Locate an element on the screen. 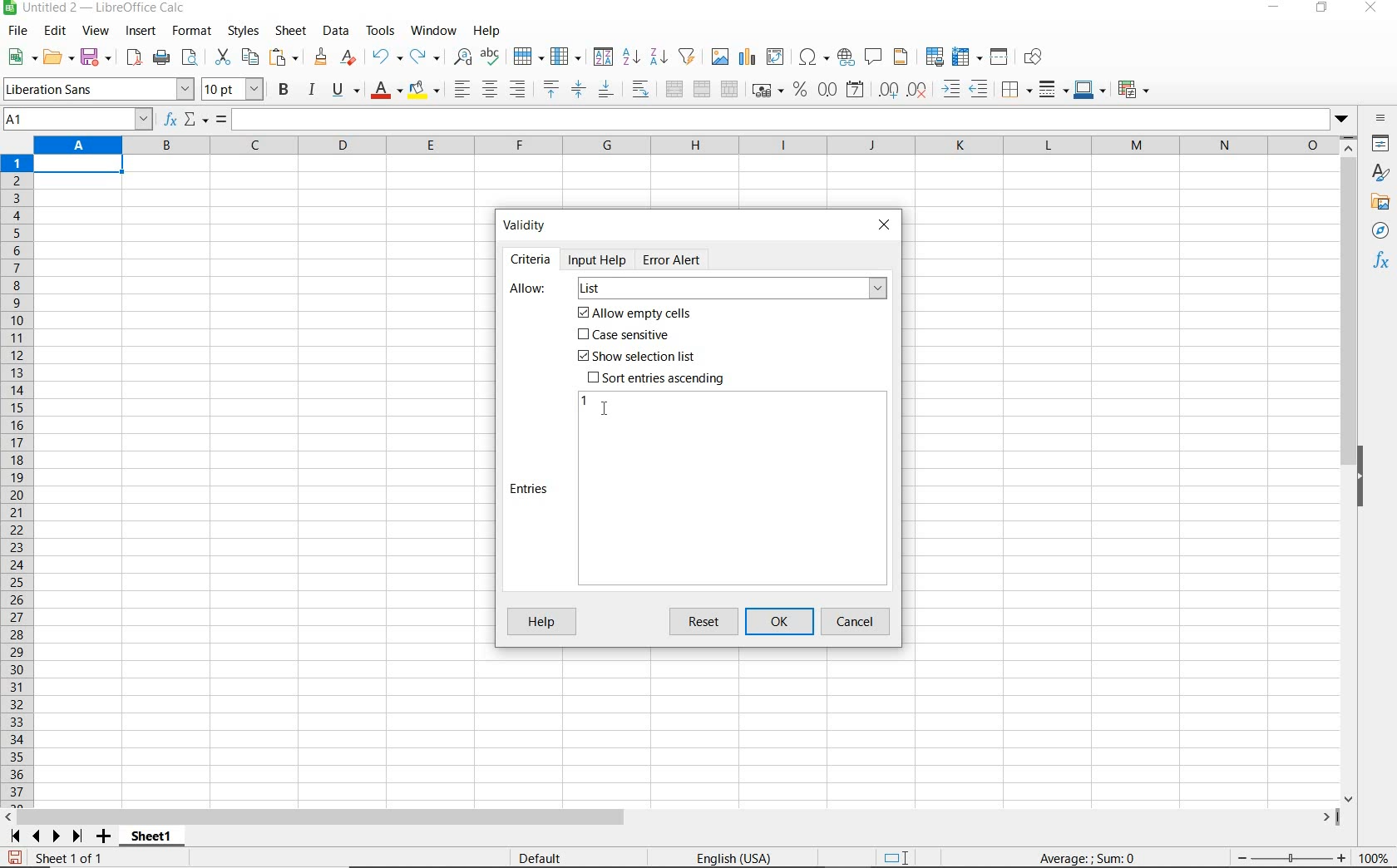 Image resolution: width=1397 pixels, height=868 pixels. row is located at coordinates (528, 57).